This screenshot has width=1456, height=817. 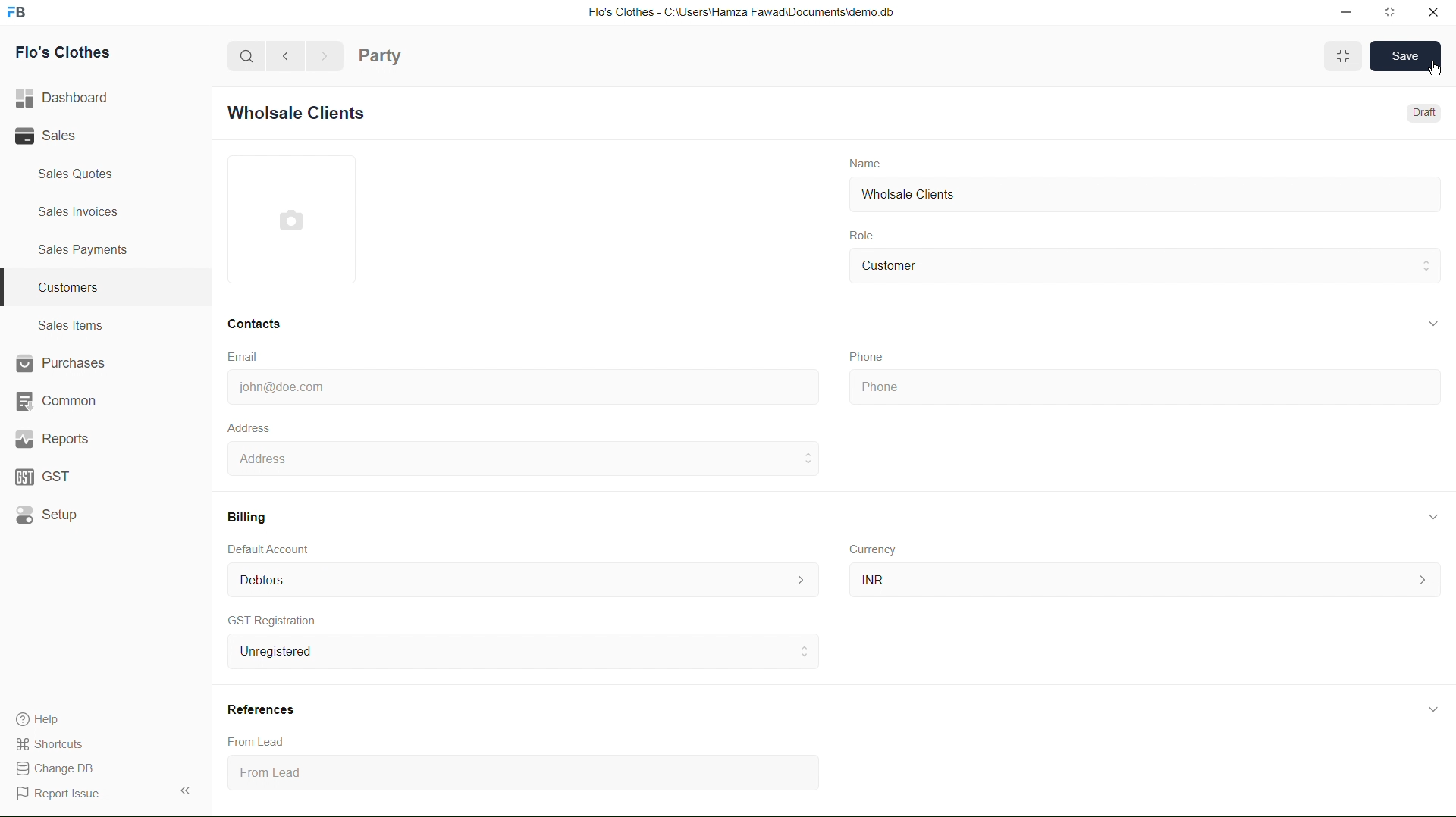 I want to click on Reports, so click(x=53, y=441).